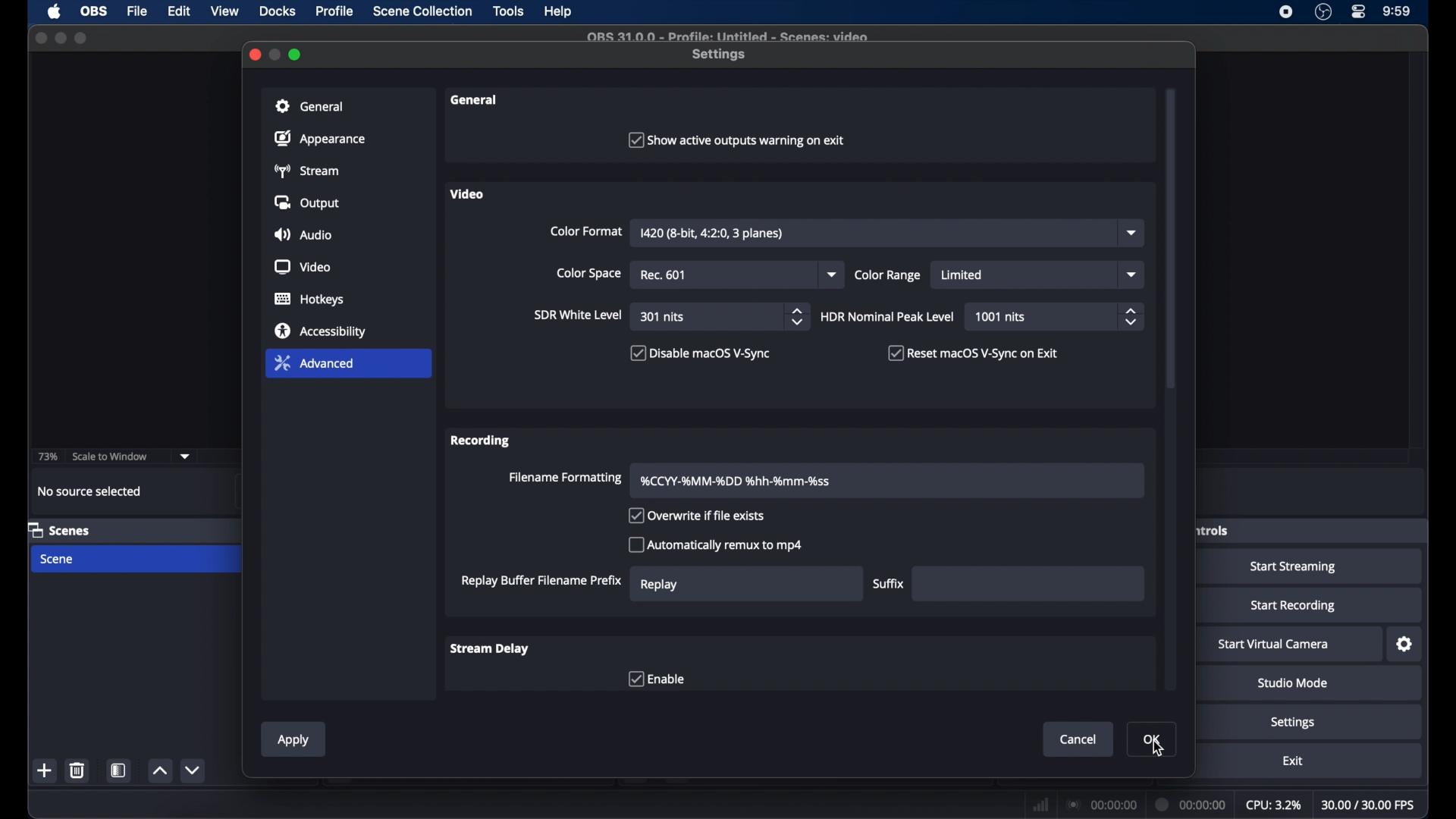  I want to click on appearance, so click(319, 138).